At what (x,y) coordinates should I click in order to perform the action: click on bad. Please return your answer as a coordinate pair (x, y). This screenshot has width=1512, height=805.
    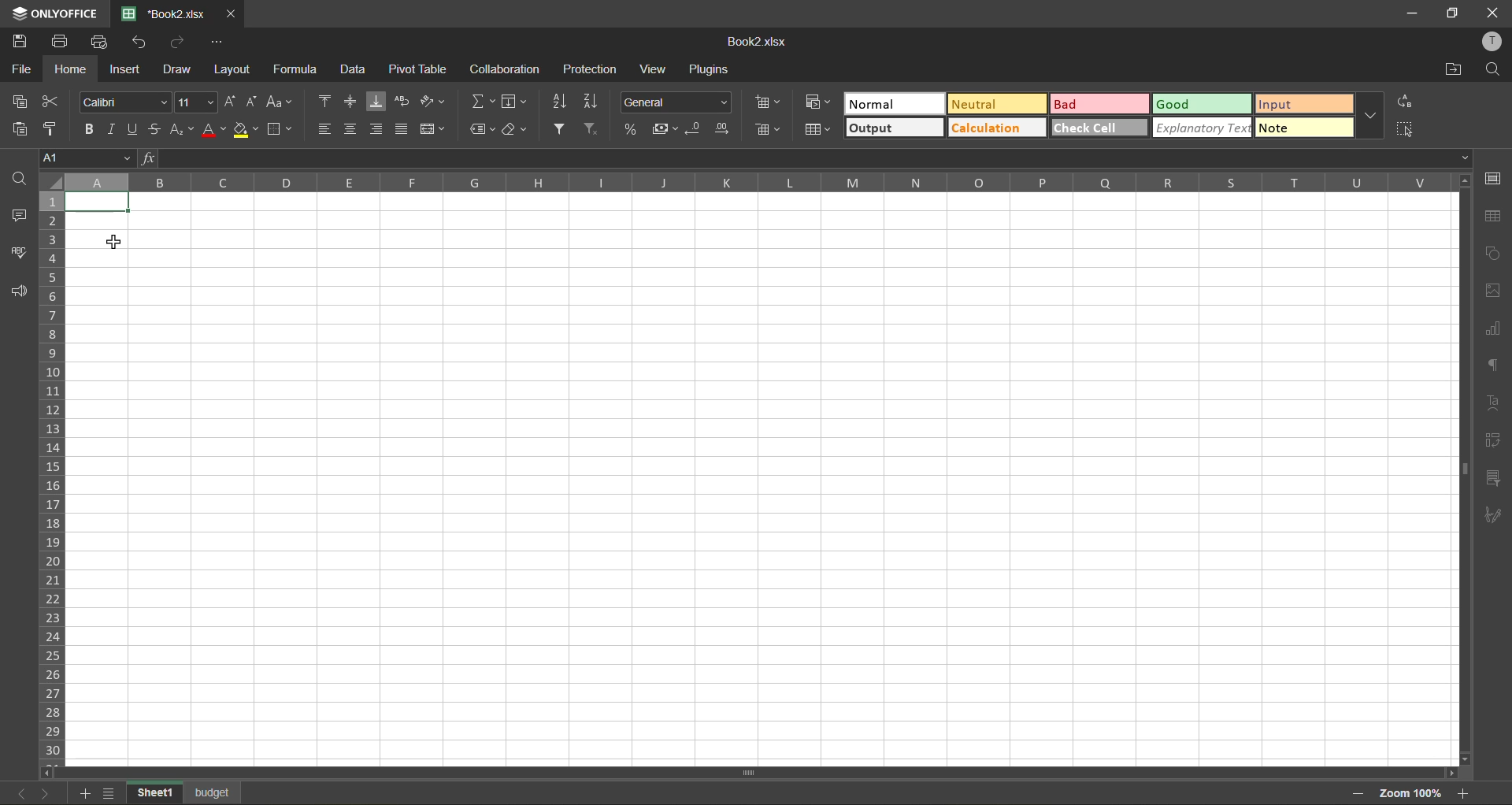
    Looking at the image, I should click on (1096, 103).